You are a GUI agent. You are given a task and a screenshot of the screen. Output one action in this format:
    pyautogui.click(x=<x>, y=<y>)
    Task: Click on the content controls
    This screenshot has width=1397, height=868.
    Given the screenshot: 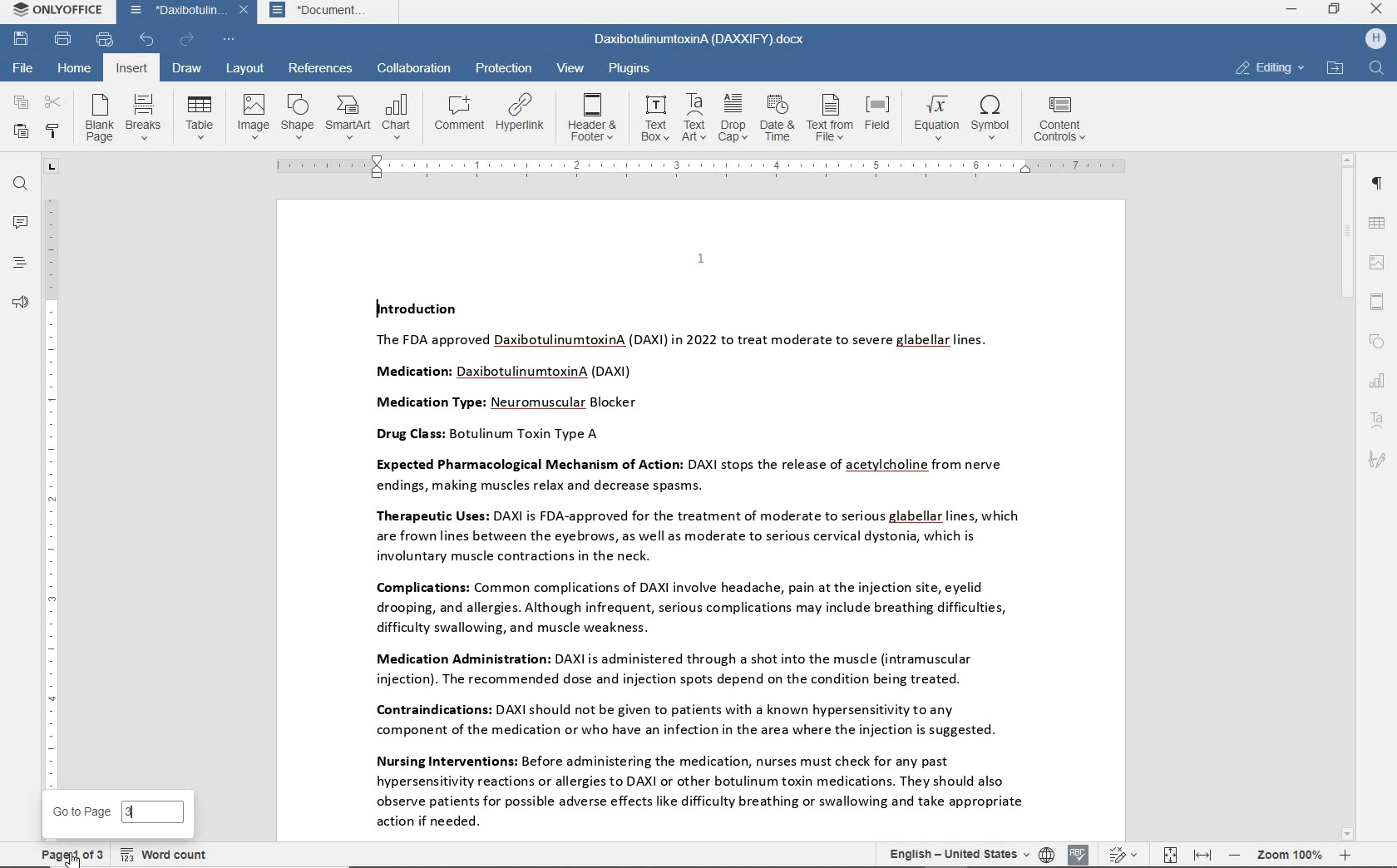 What is the action you would take?
    pyautogui.click(x=1065, y=119)
    